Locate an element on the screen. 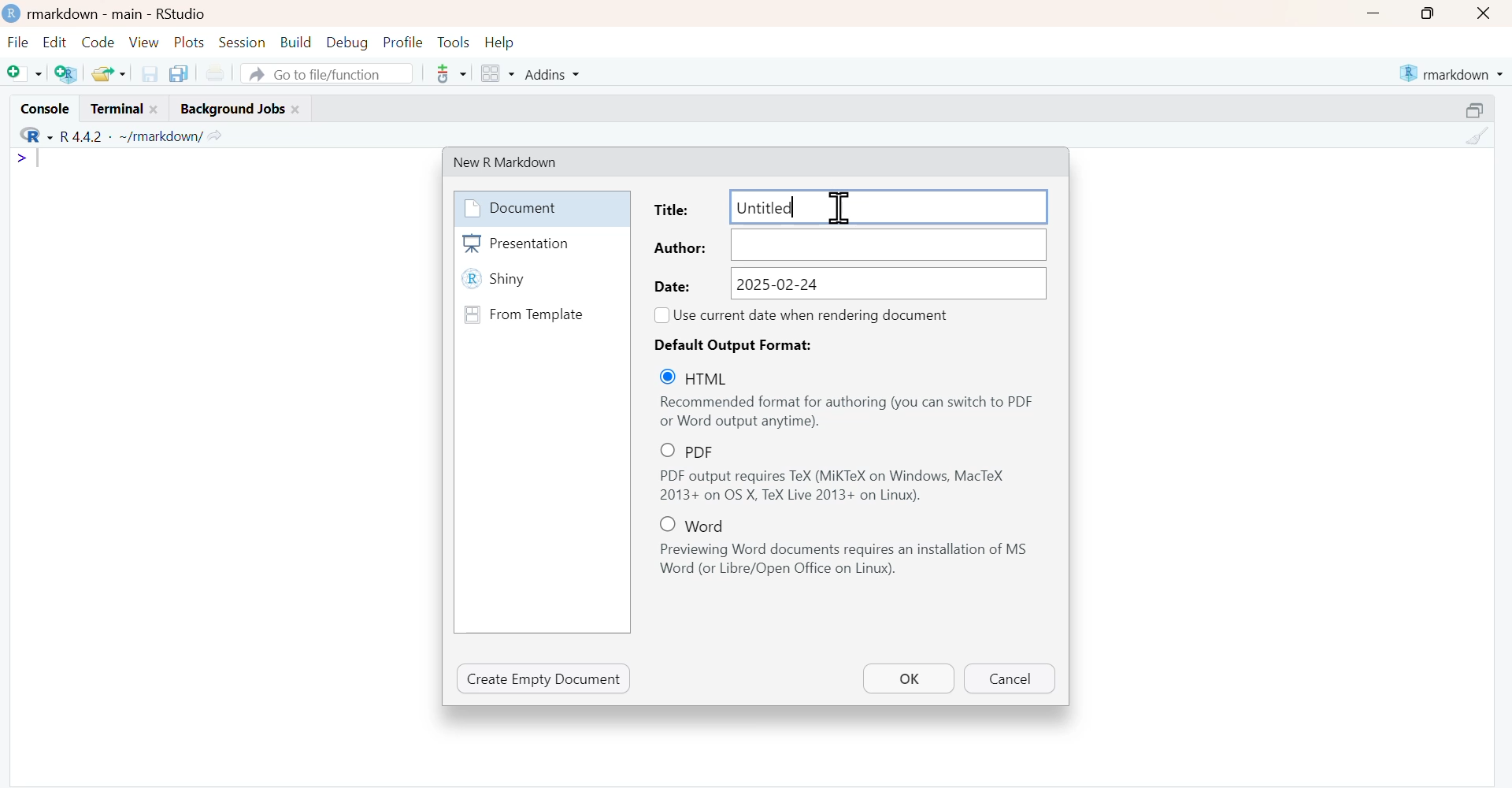 This screenshot has height=788, width=1512. Console is located at coordinates (43, 107).